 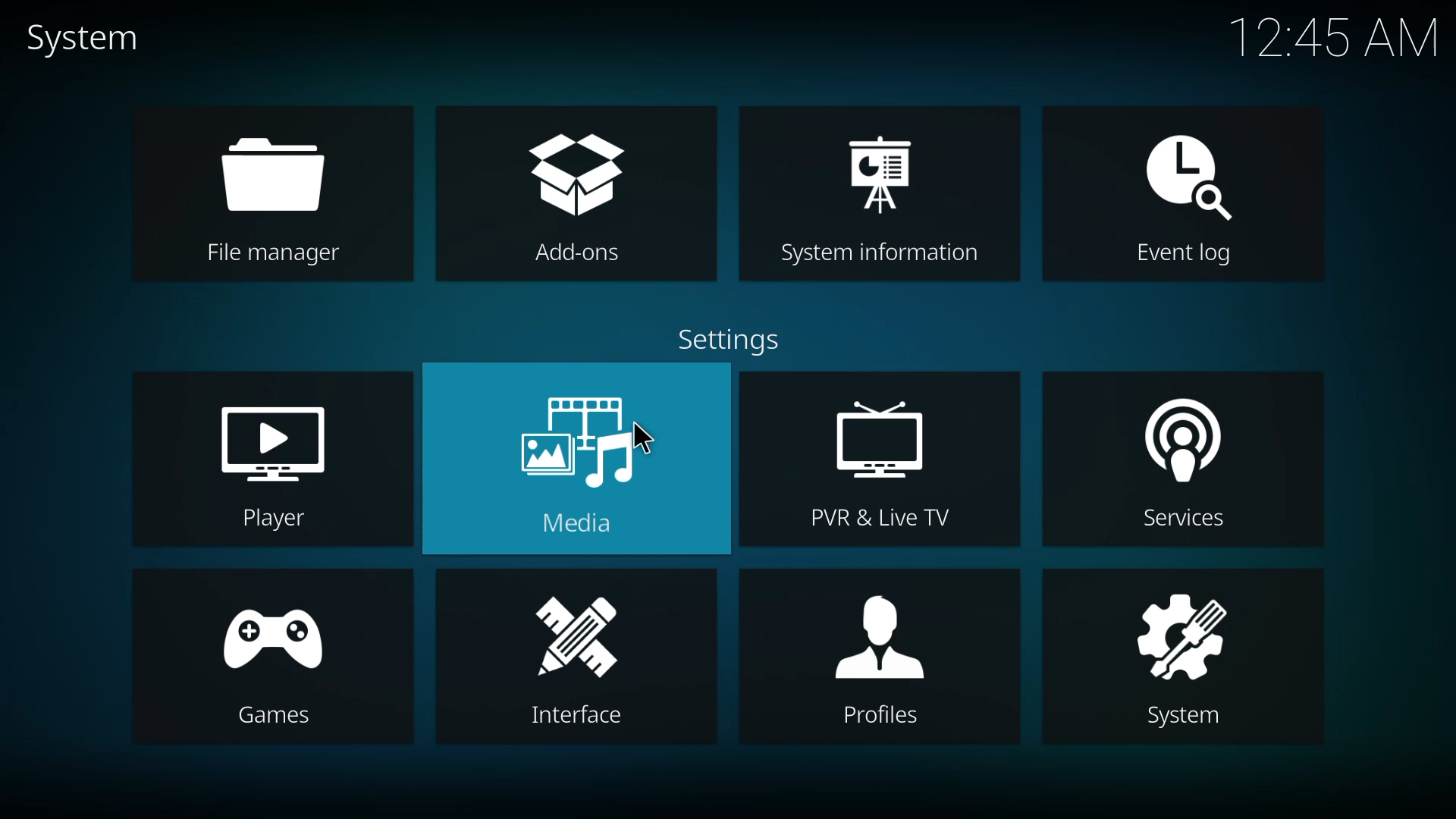 What do you see at coordinates (876, 460) in the screenshot?
I see `pvr & live tv` at bounding box center [876, 460].